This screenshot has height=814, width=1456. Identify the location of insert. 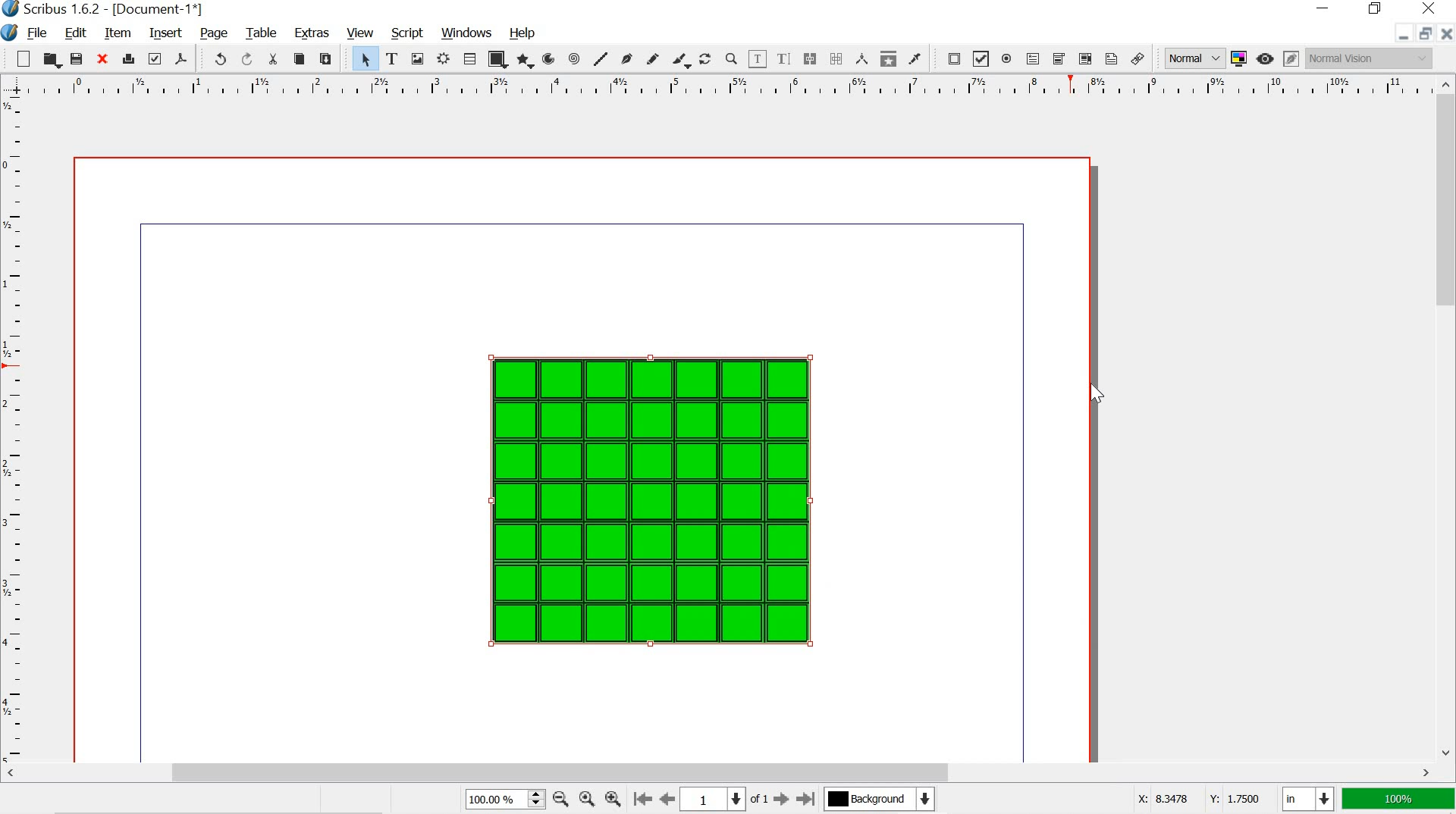
(165, 31).